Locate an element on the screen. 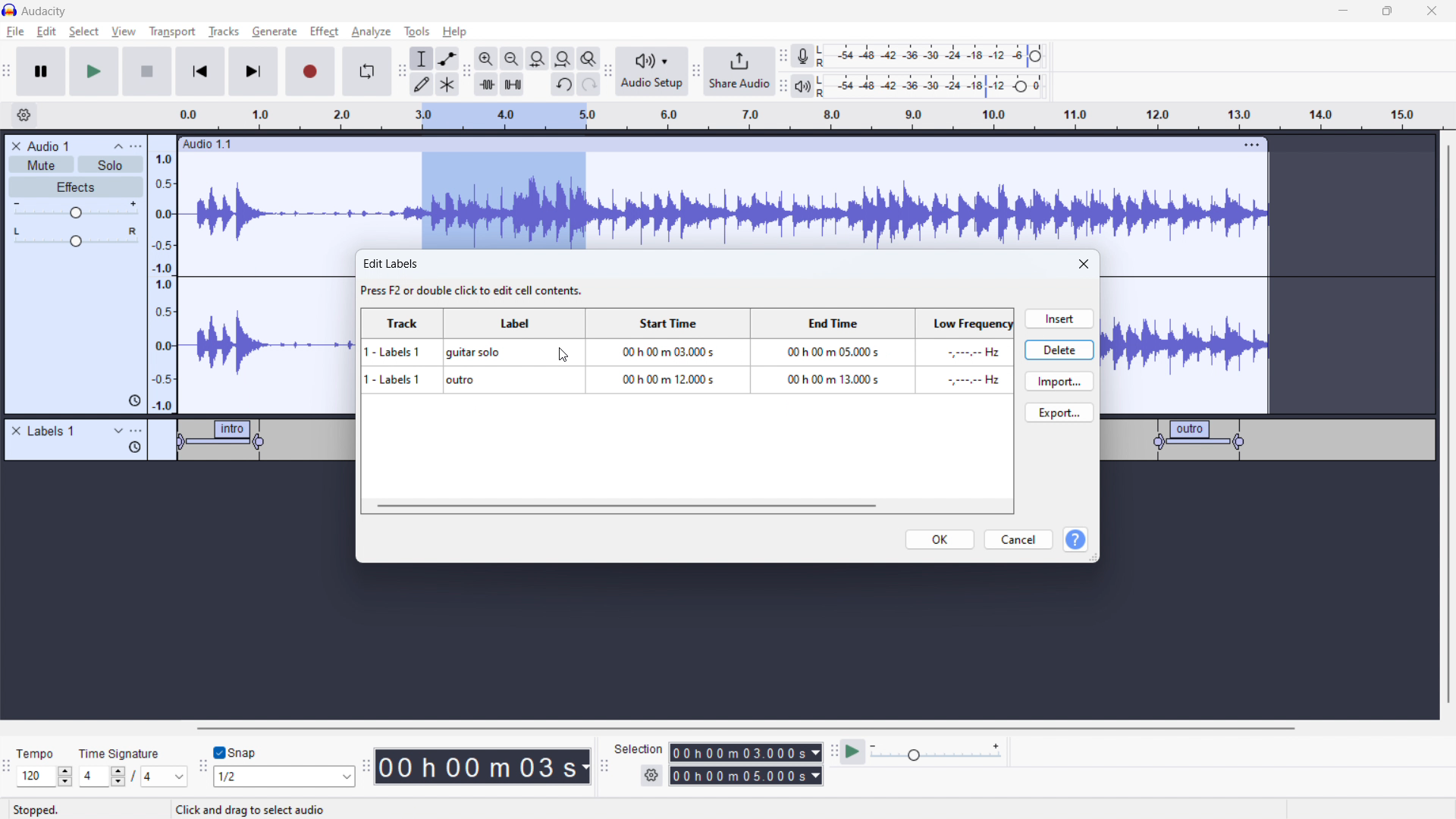 This screenshot has width=1456, height=819. stop is located at coordinates (147, 71).